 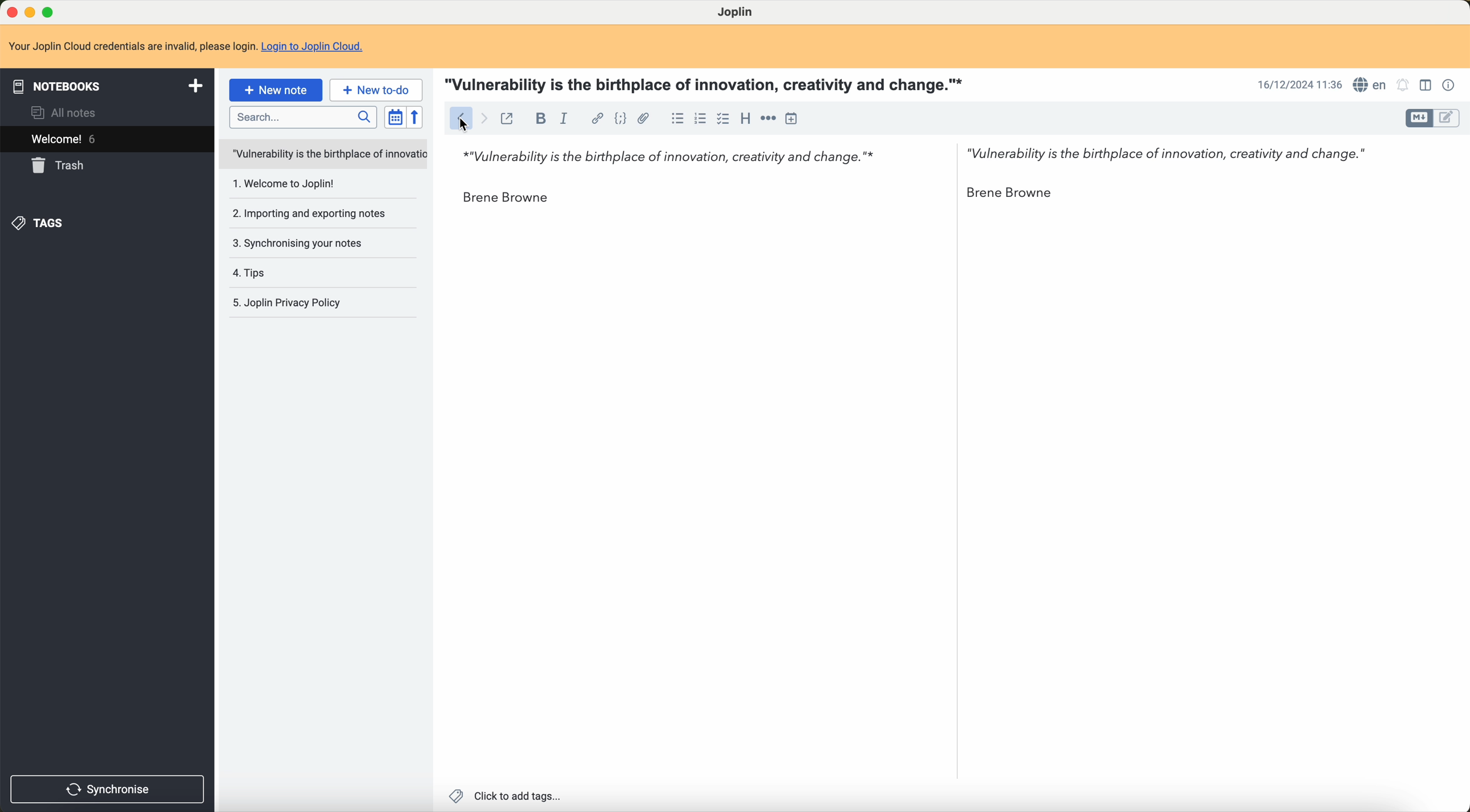 What do you see at coordinates (463, 125) in the screenshot?
I see `cursor` at bounding box center [463, 125].